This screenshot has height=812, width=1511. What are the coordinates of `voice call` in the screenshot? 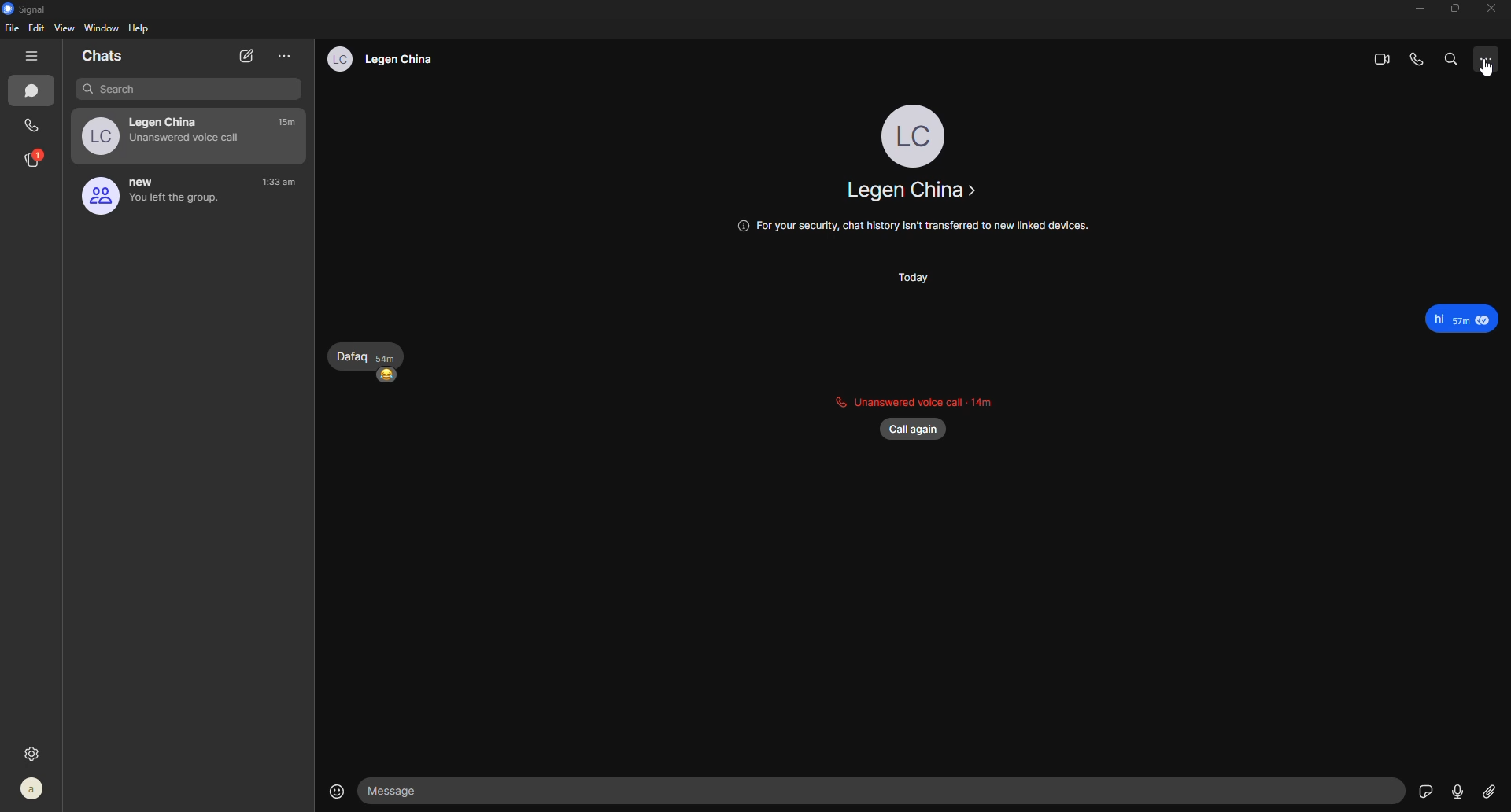 It's located at (1418, 58).